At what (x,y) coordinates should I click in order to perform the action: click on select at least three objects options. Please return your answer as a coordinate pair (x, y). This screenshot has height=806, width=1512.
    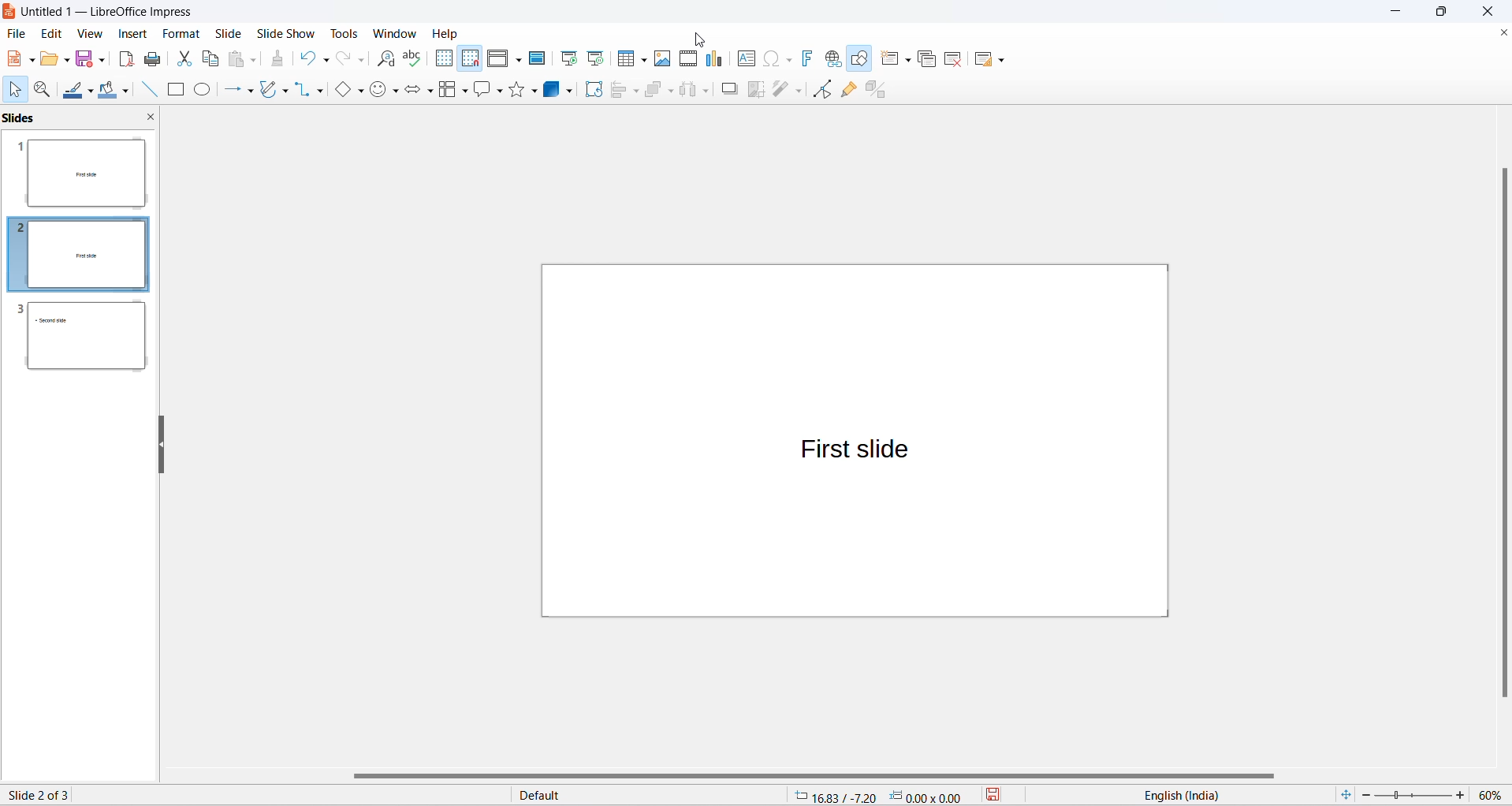
    Looking at the image, I should click on (709, 90).